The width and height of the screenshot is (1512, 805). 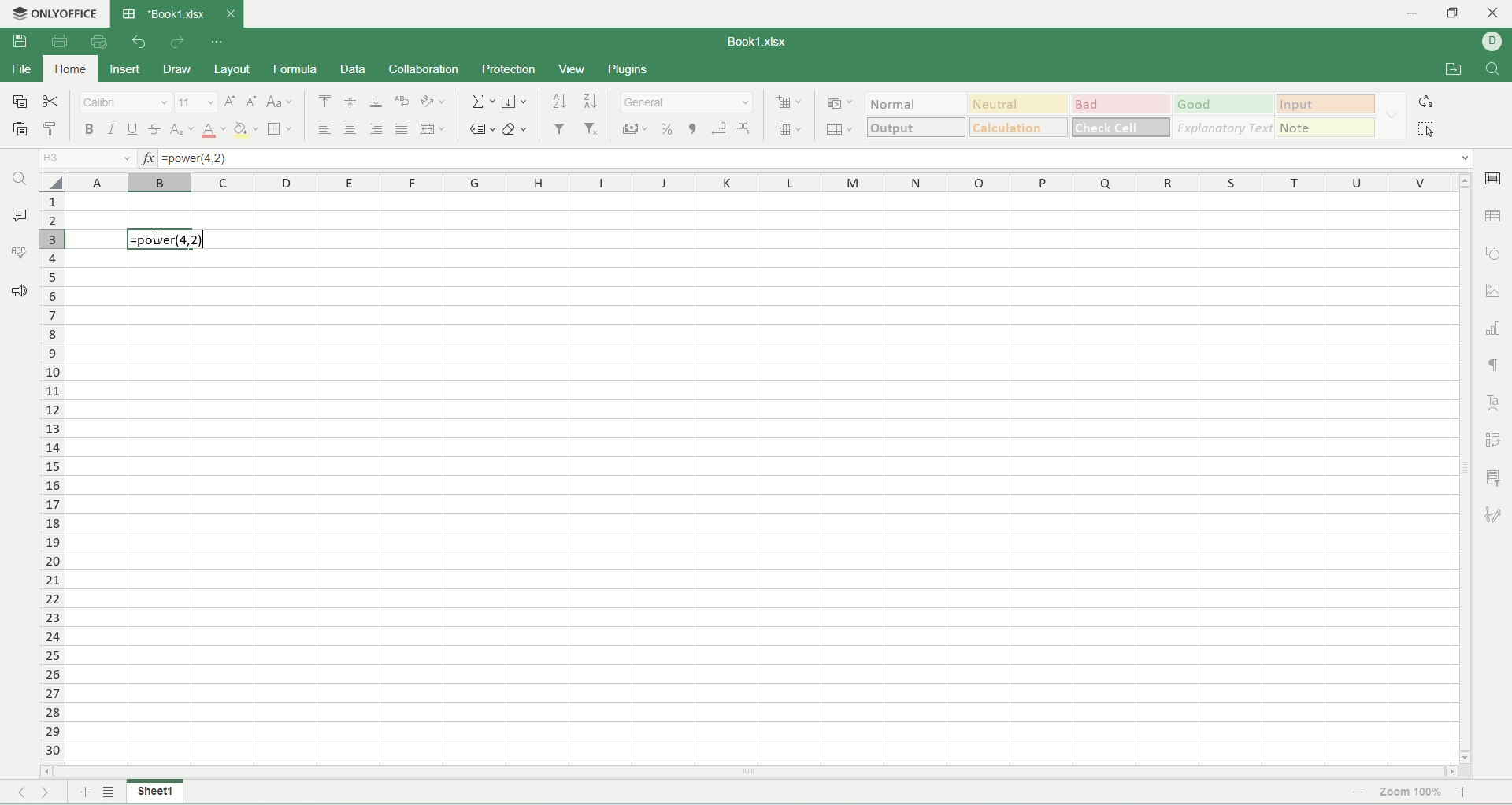 What do you see at coordinates (1392, 115) in the screenshot?
I see `cell style` at bounding box center [1392, 115].